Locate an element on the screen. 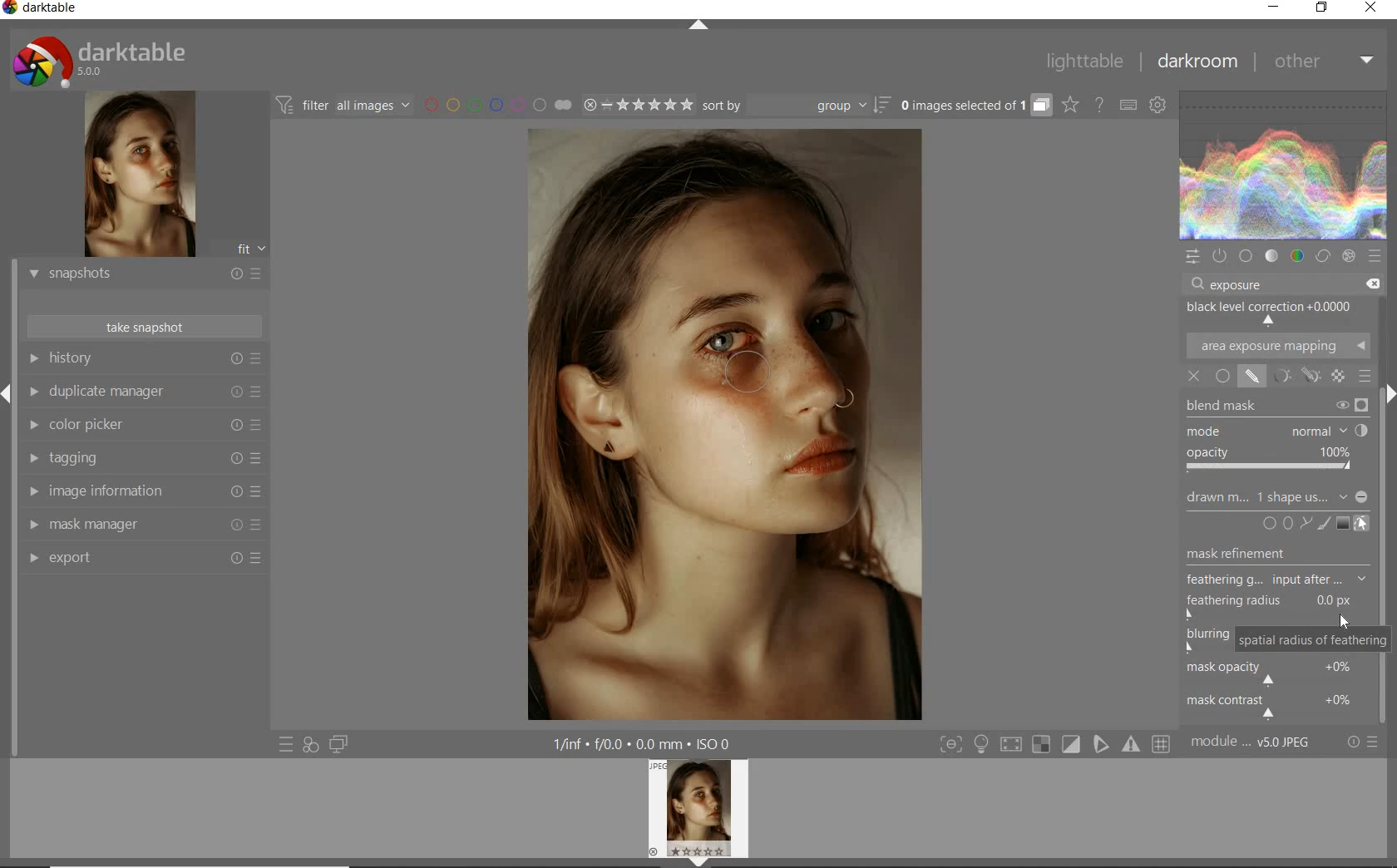 The width and height of the screenshot is (1397, 868). image information is located at coordinates (144, 491).